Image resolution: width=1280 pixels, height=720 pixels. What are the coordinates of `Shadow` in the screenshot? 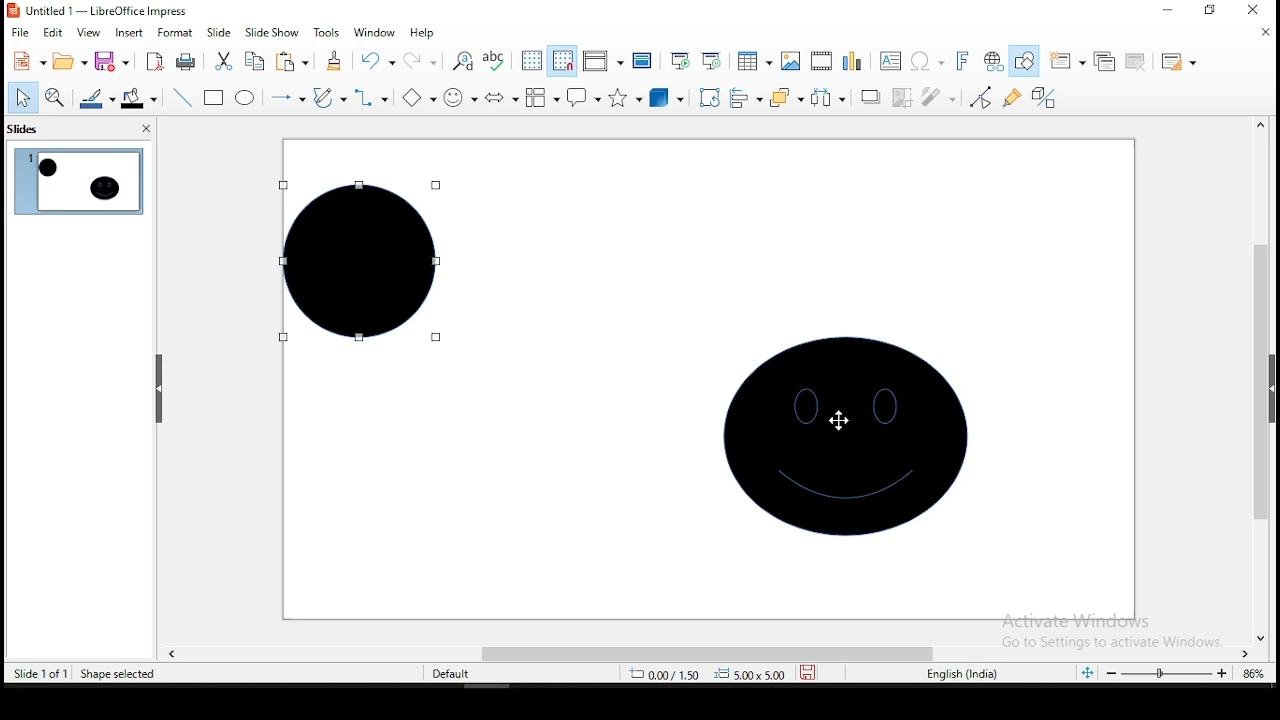 It's located at (869, 97).